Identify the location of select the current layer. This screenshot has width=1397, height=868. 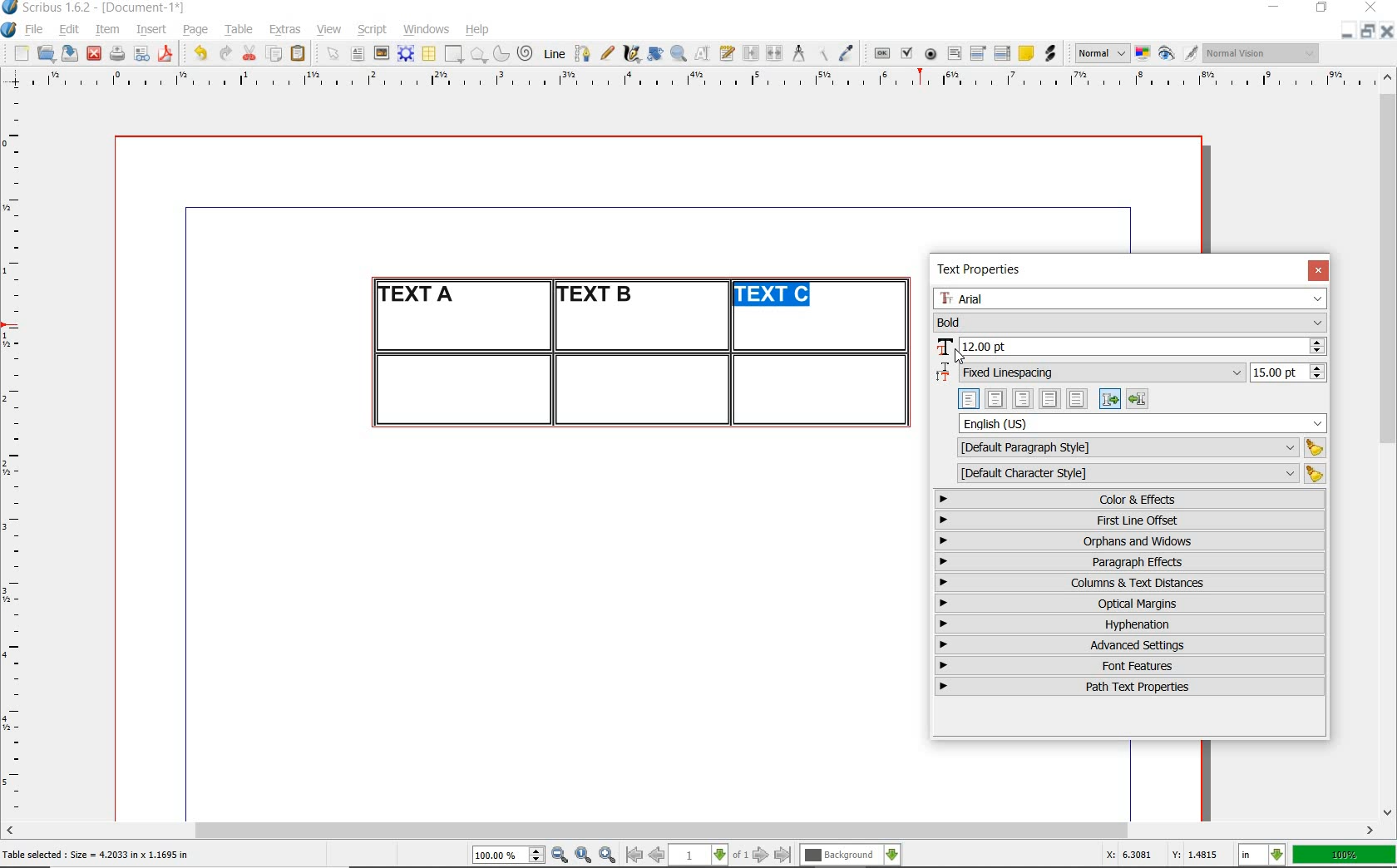
(851, 856).